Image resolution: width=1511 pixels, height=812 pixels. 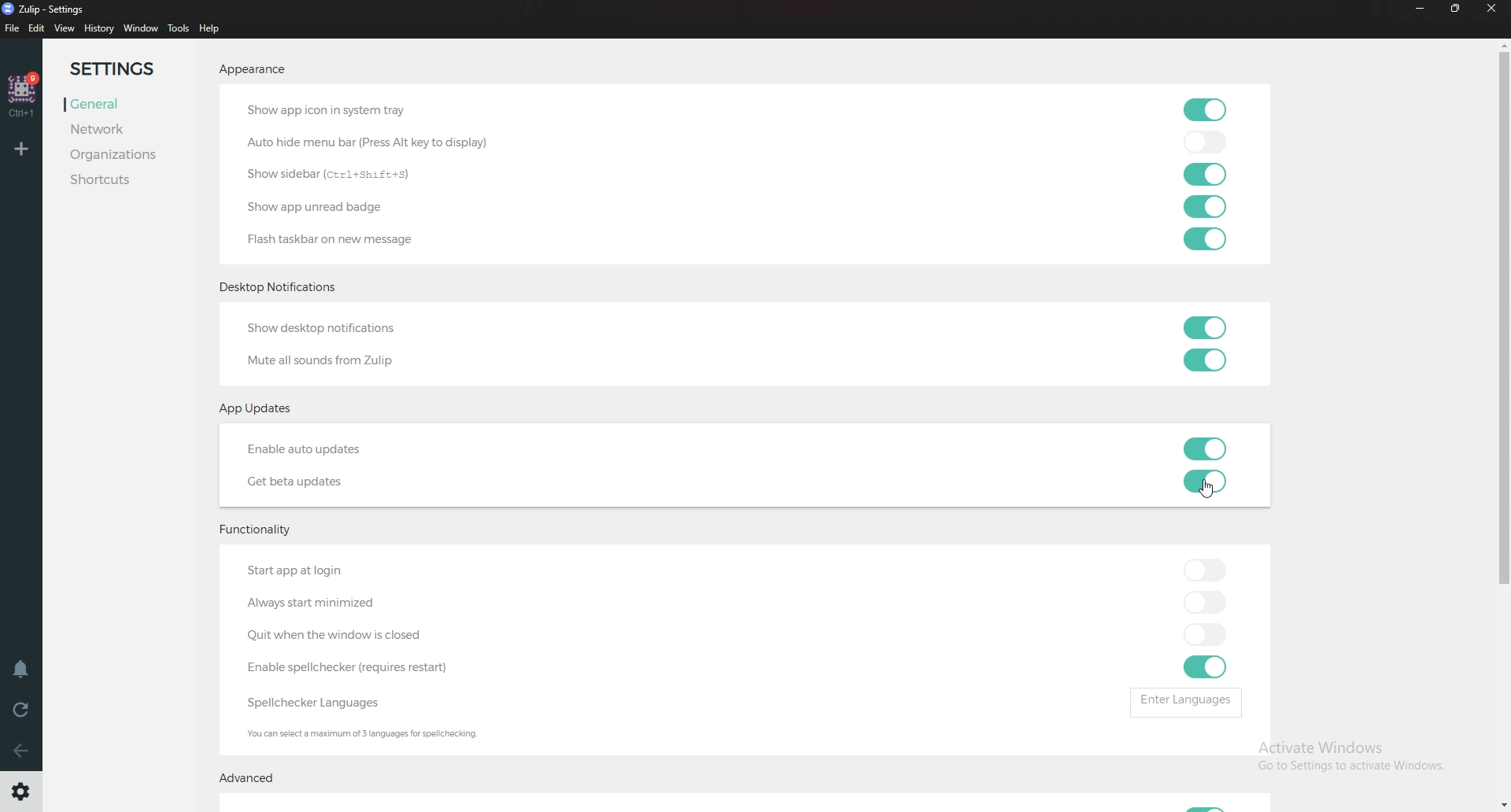 I want to click on Organizations, so click(x=128, y=154).